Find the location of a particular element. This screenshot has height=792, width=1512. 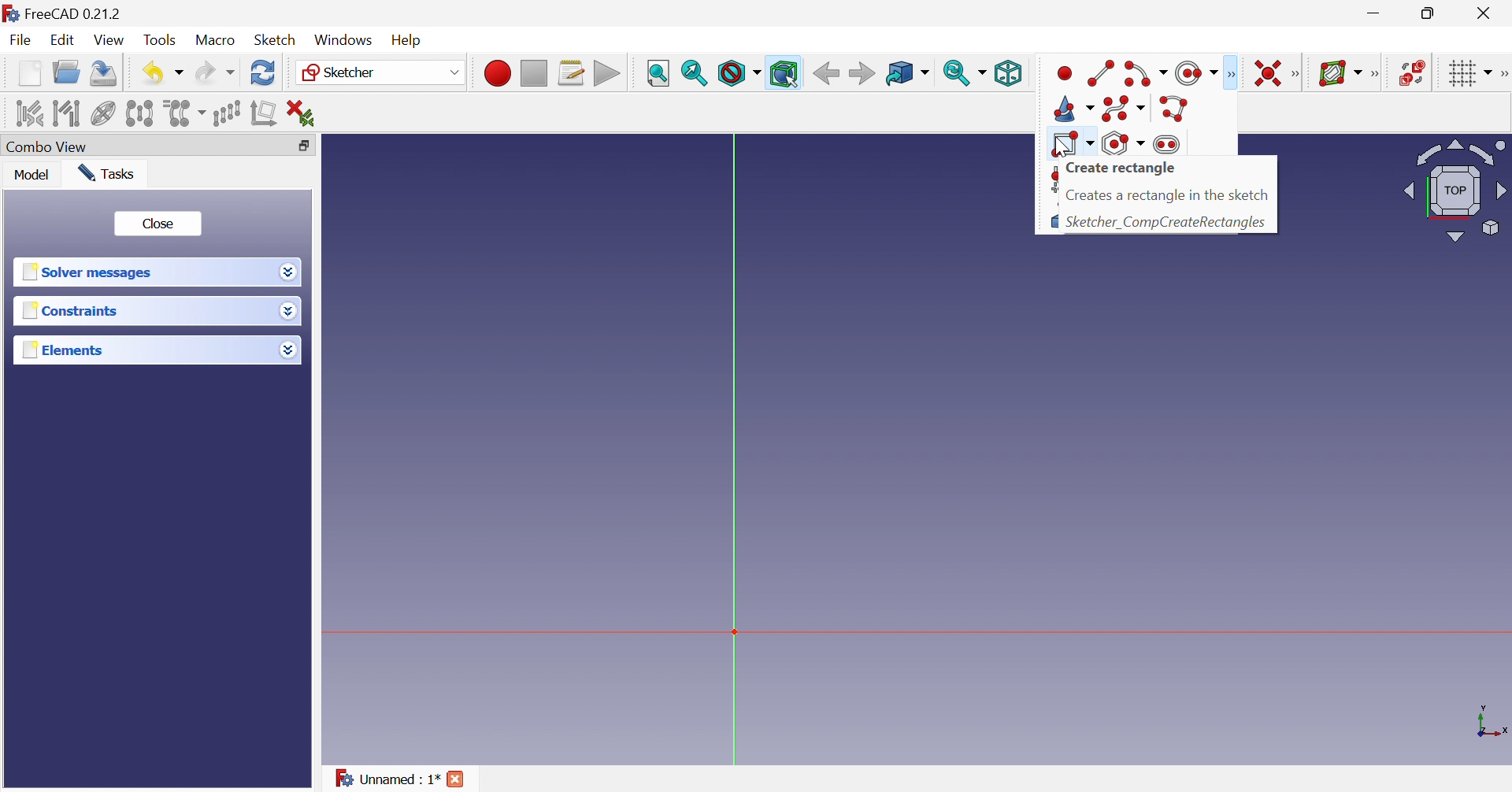

Restore down is located at coordinates (306, 147).